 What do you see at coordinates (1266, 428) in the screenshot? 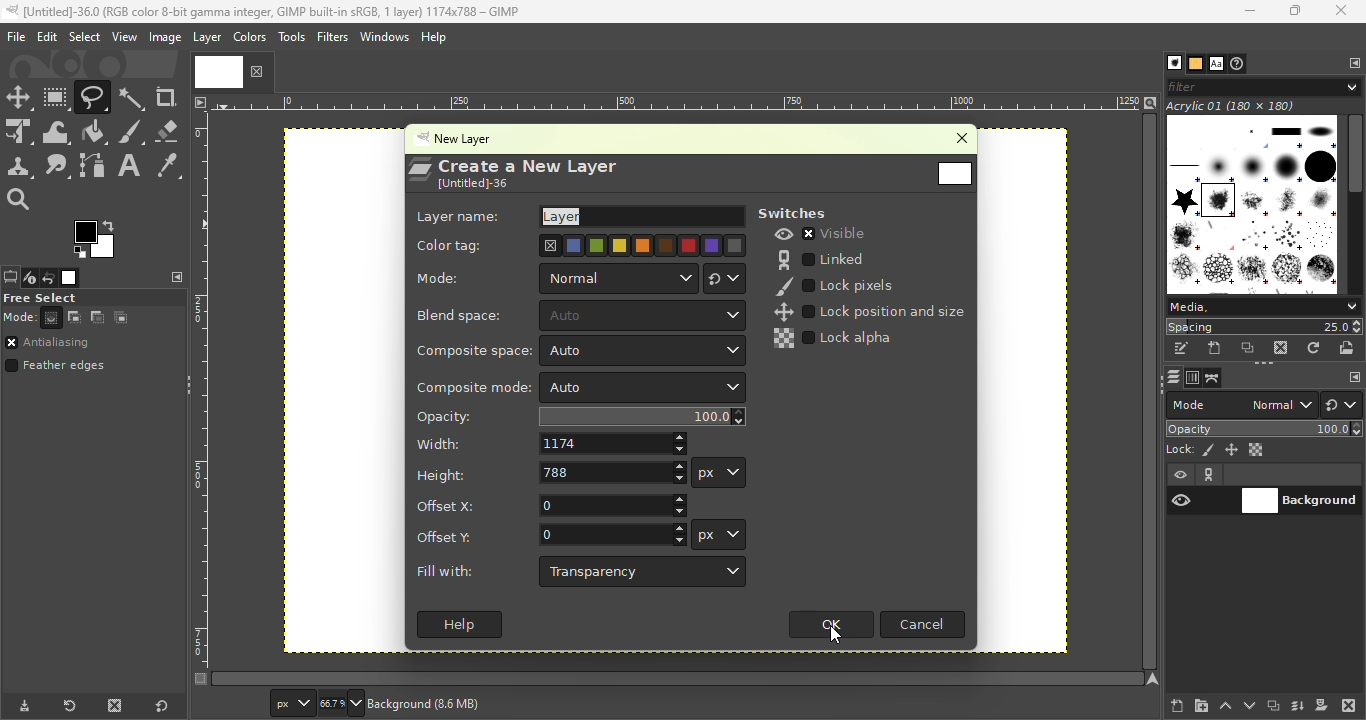
I see `Opacity` at bounding box center [1266, 428].